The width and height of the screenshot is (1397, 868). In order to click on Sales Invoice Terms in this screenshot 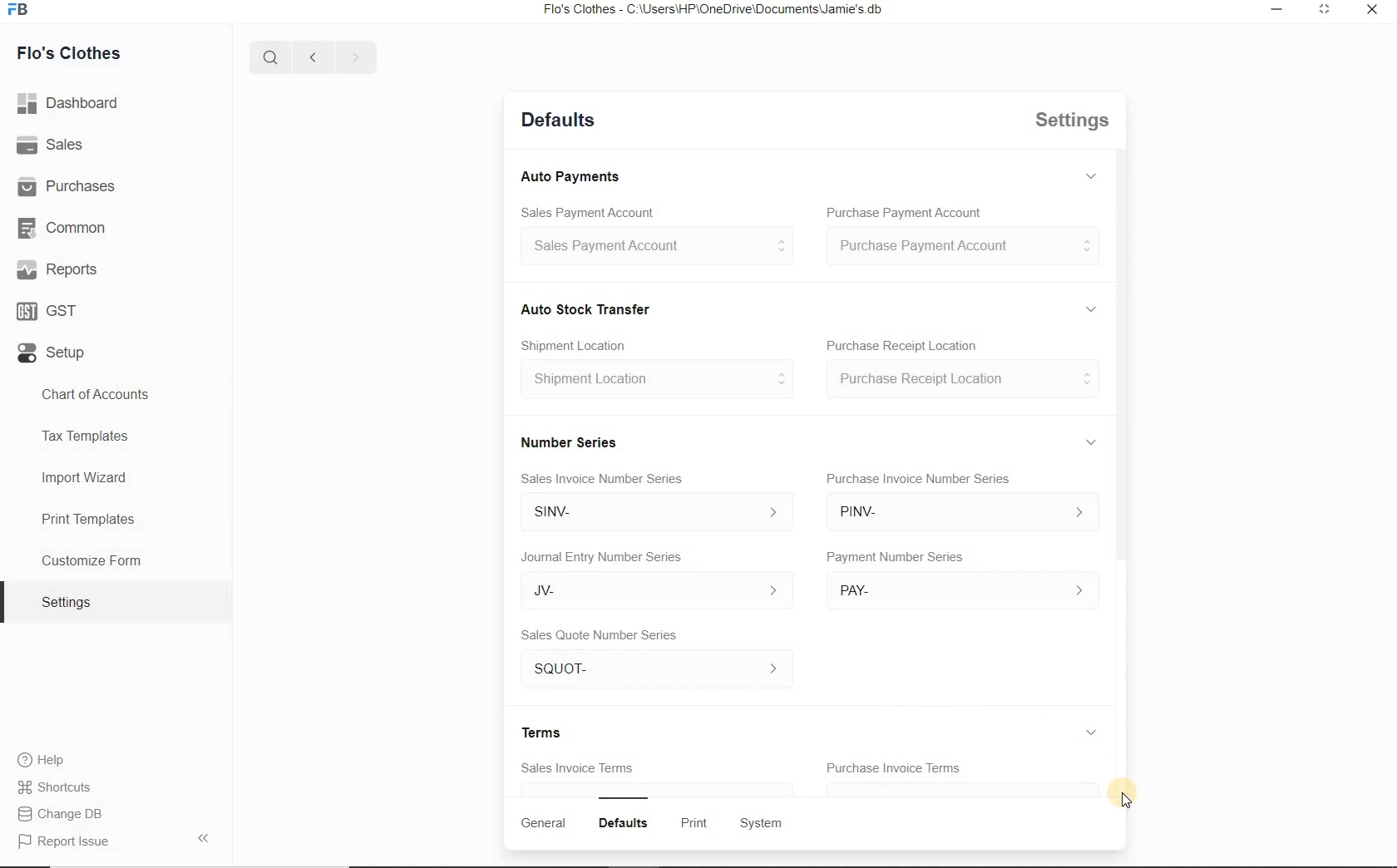, I will do `click(578, 768)`.